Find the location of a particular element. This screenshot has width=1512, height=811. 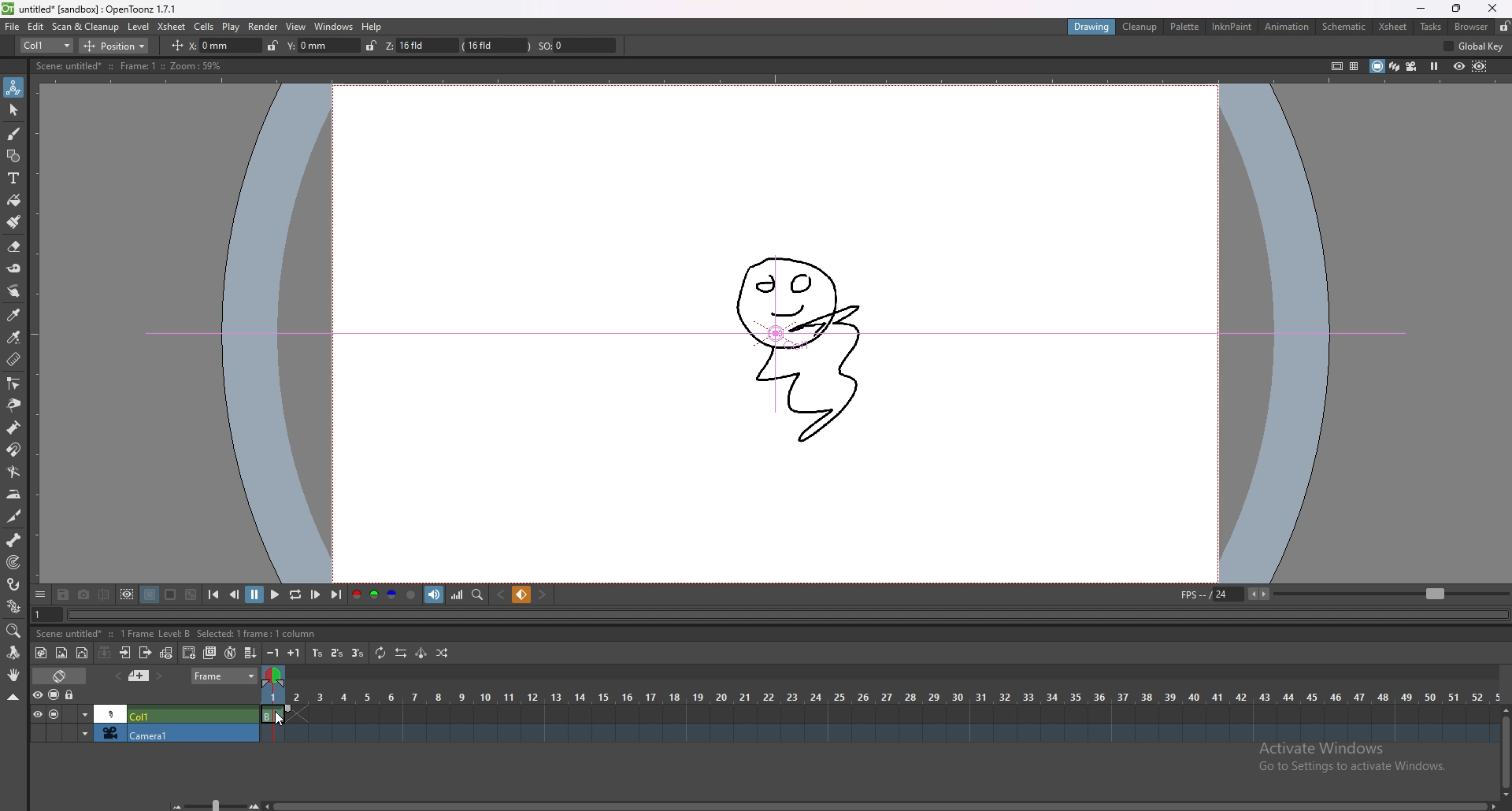

cleanup is located at coordinates (1140, 27).